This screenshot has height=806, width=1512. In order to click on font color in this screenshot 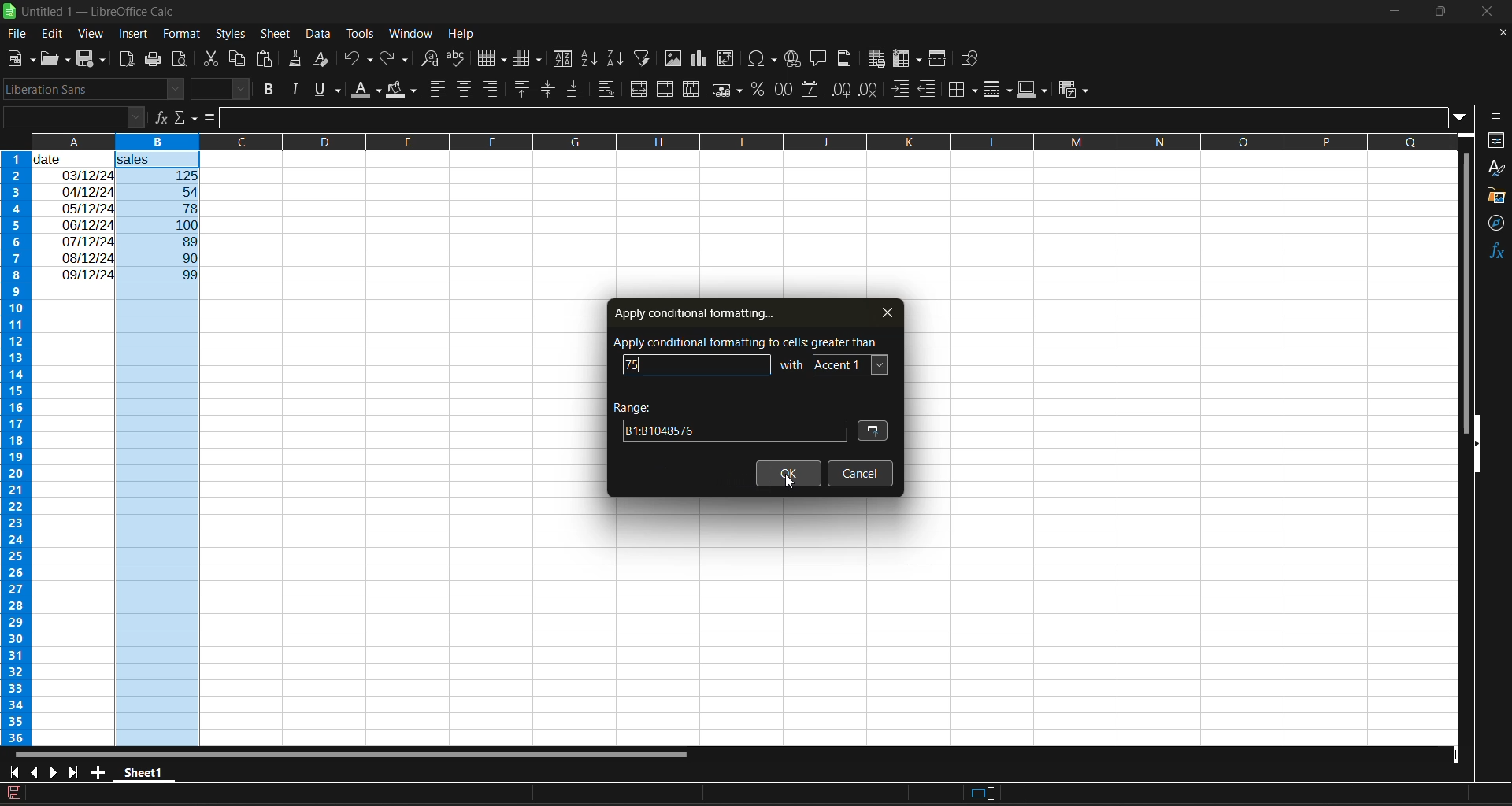, I will do `click(369, 91)`.